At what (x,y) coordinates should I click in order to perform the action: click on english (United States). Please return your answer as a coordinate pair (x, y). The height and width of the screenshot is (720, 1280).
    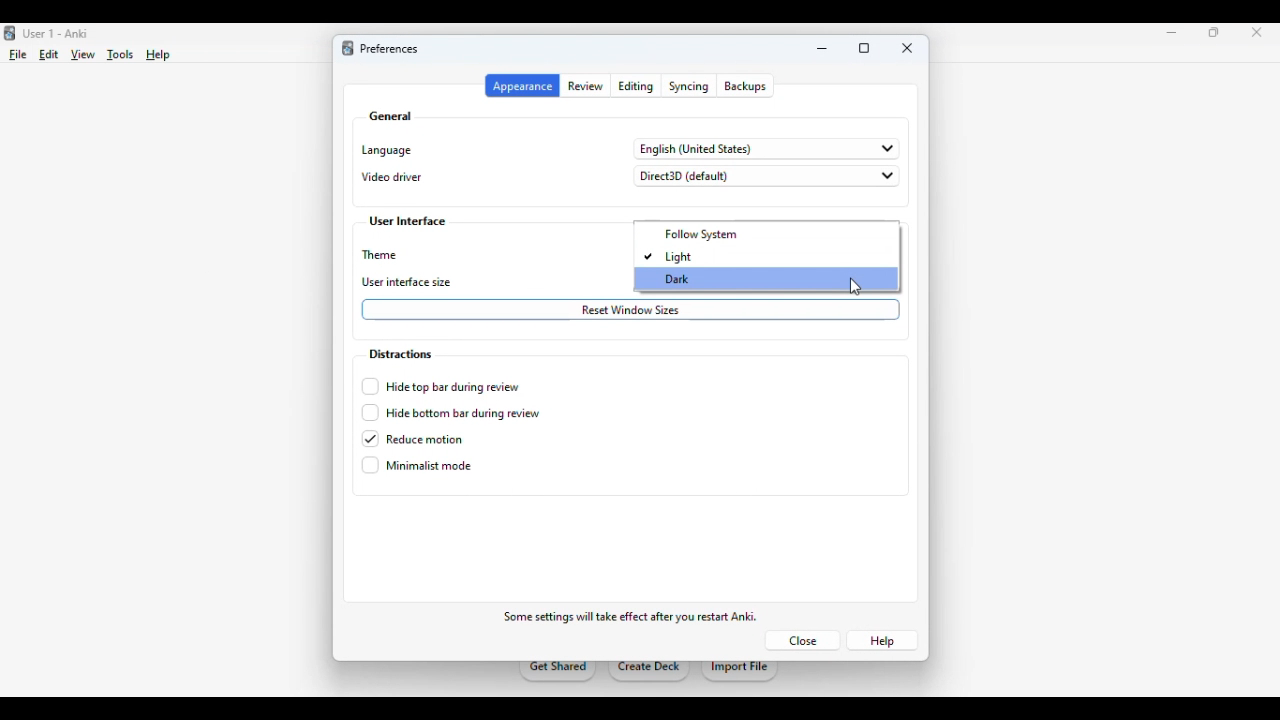
    Looking at the image, I should click on (768, 149).